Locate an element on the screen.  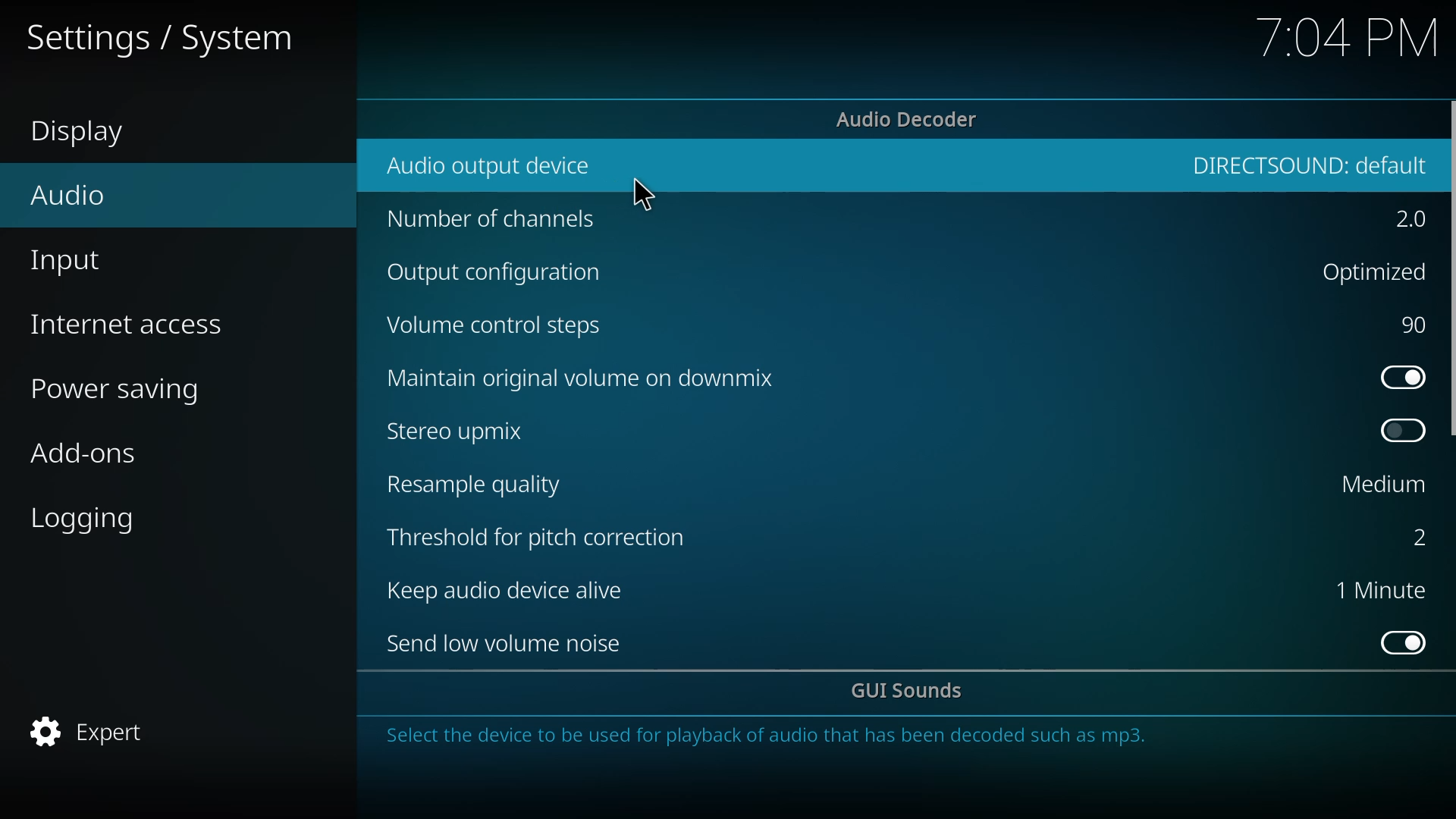
stereo upmix is located at coordinates (457, 430).